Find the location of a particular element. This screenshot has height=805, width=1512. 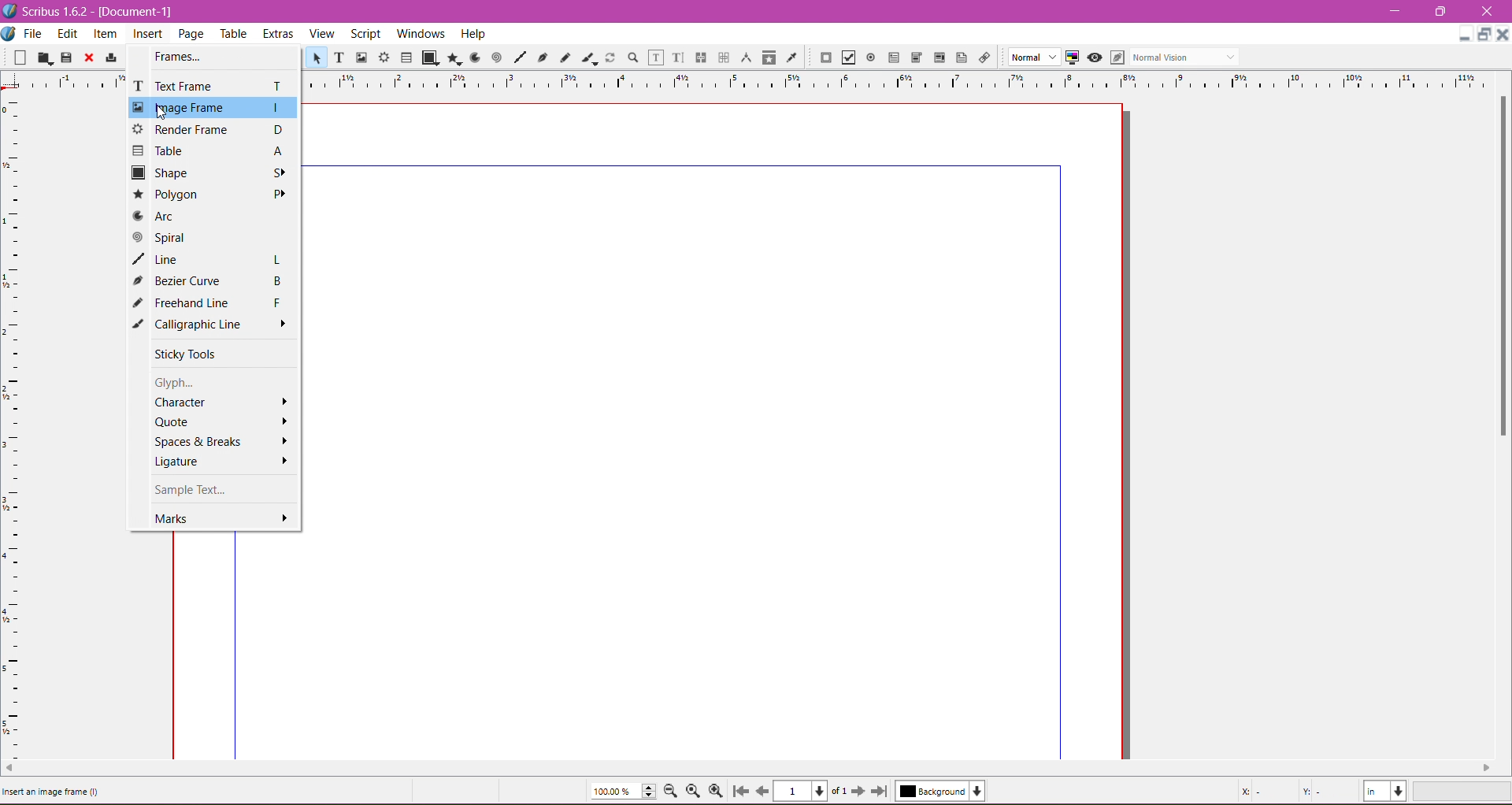

 is located at coordinates (214, 302).